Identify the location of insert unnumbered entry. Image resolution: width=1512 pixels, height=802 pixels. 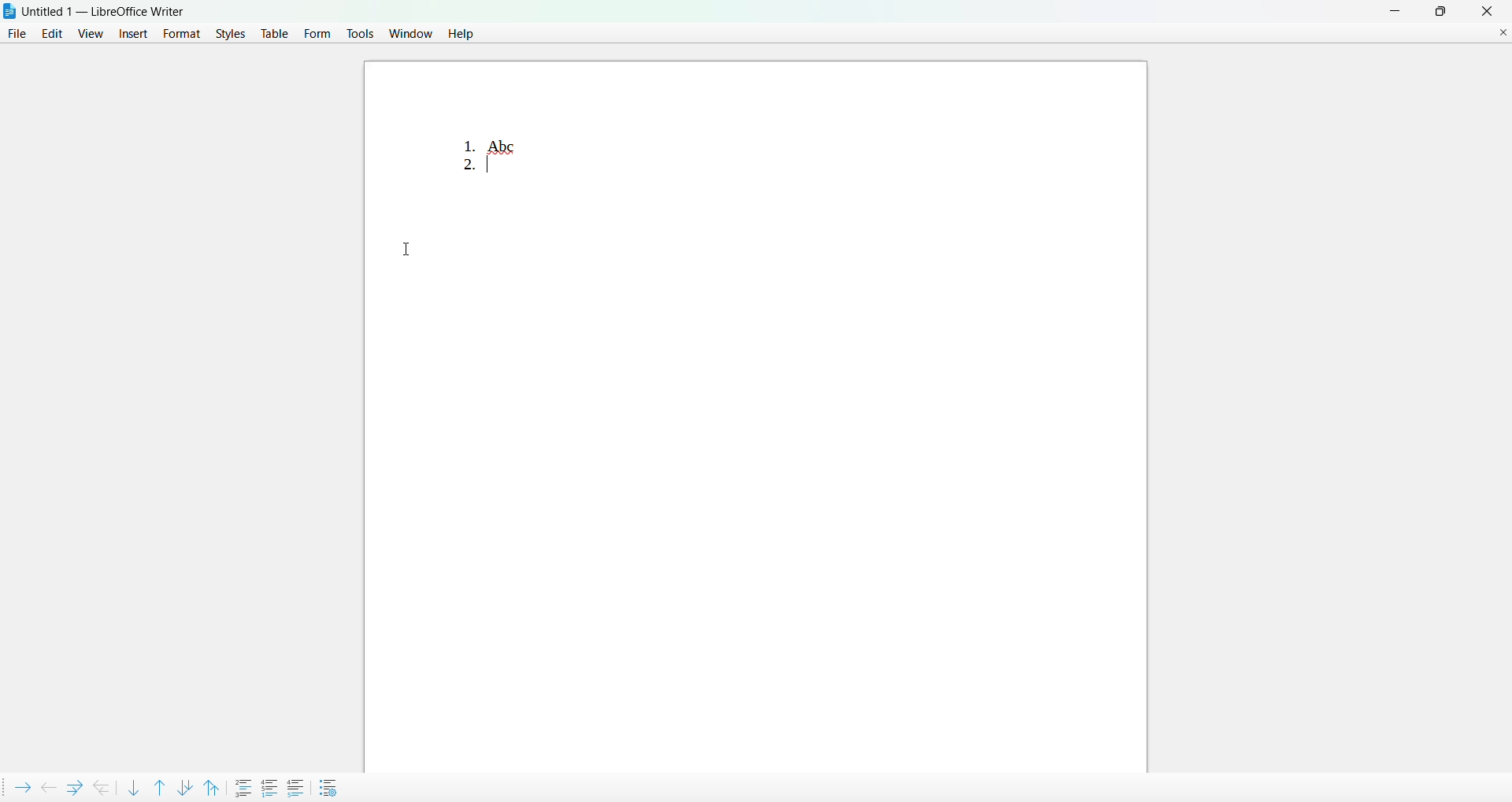
(244, 786).